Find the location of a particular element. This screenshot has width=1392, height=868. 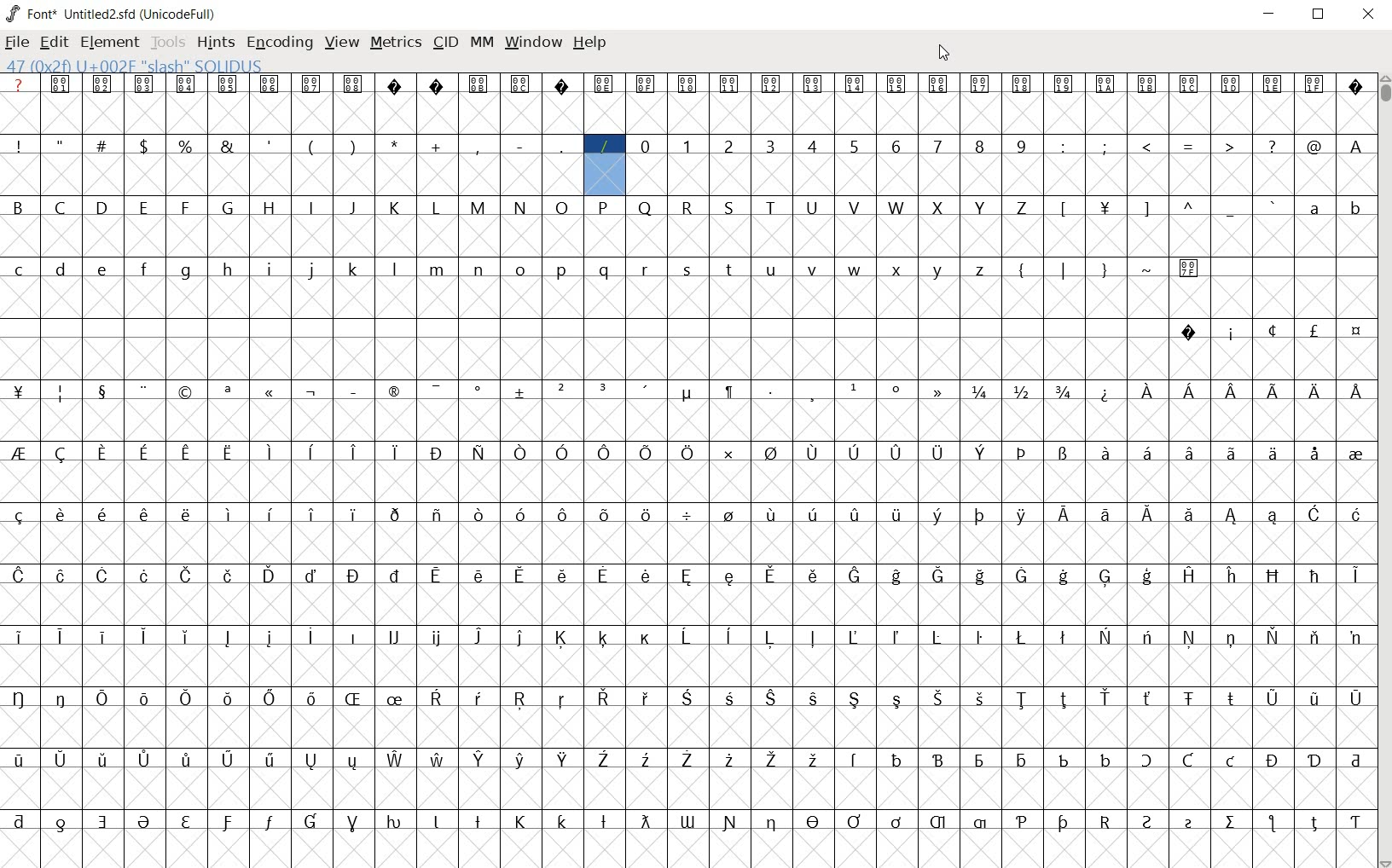

glyph is located at coordinates (1105, 515).